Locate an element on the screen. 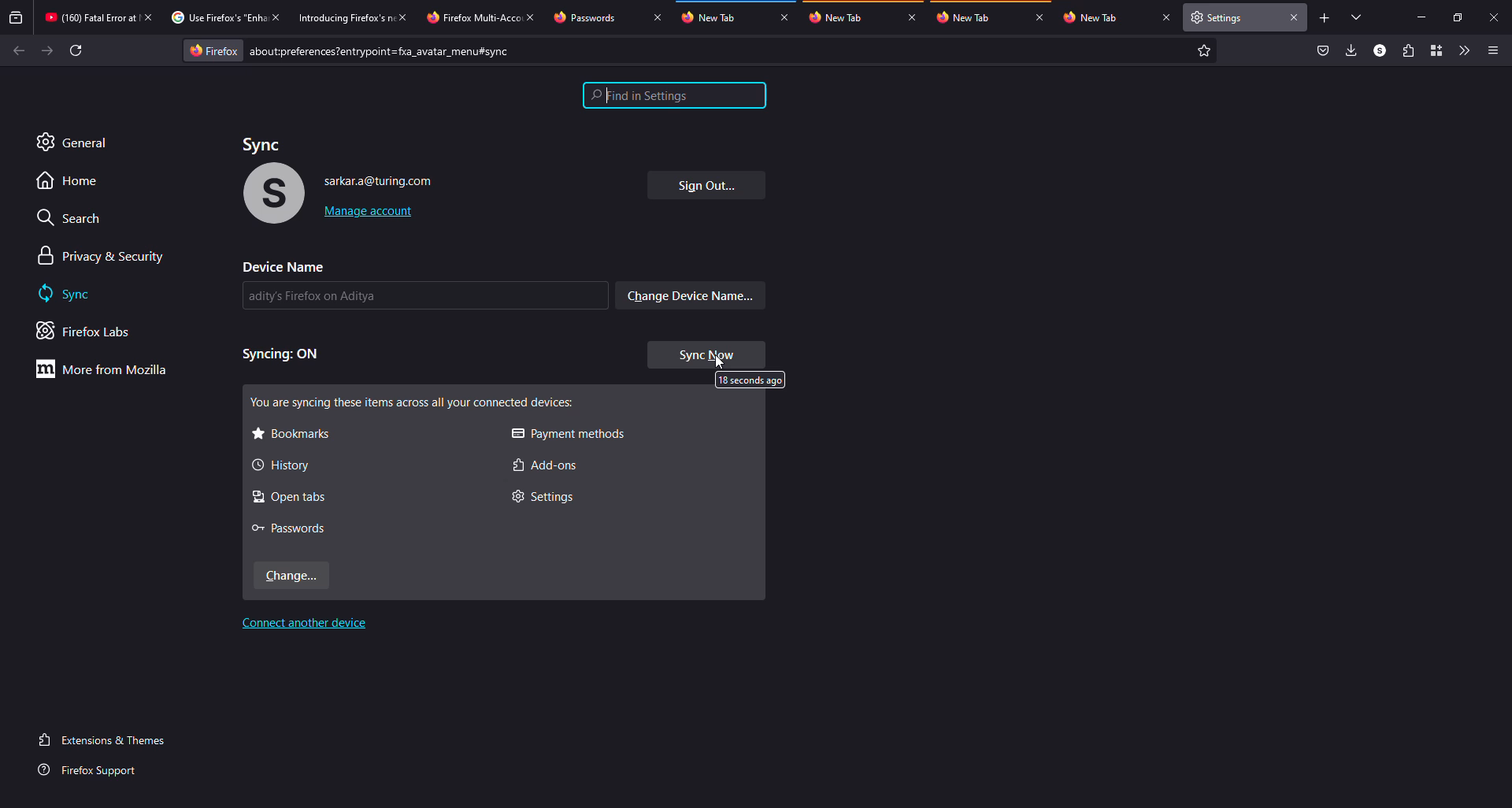 The height and width of the screenshot is (808, 1512). device name is located at coordinates (283, 266).